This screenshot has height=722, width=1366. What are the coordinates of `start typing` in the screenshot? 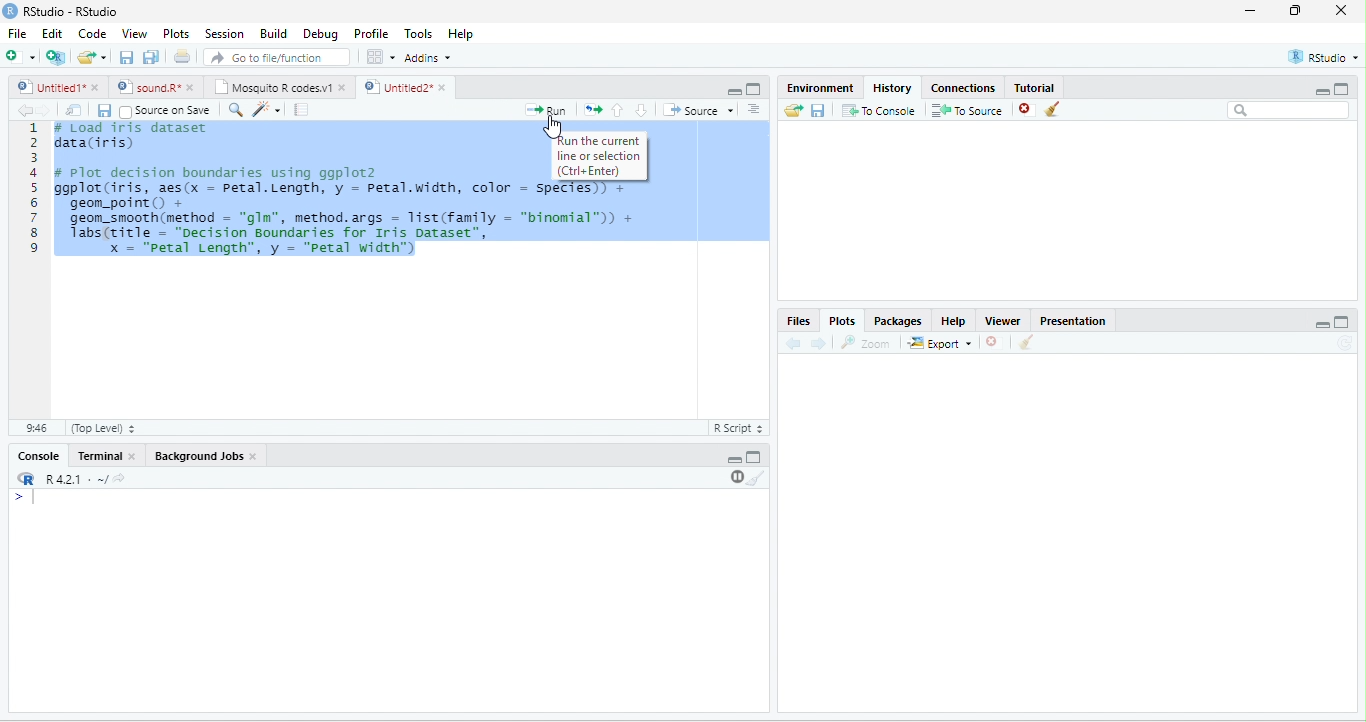 It's located at (28, 498).